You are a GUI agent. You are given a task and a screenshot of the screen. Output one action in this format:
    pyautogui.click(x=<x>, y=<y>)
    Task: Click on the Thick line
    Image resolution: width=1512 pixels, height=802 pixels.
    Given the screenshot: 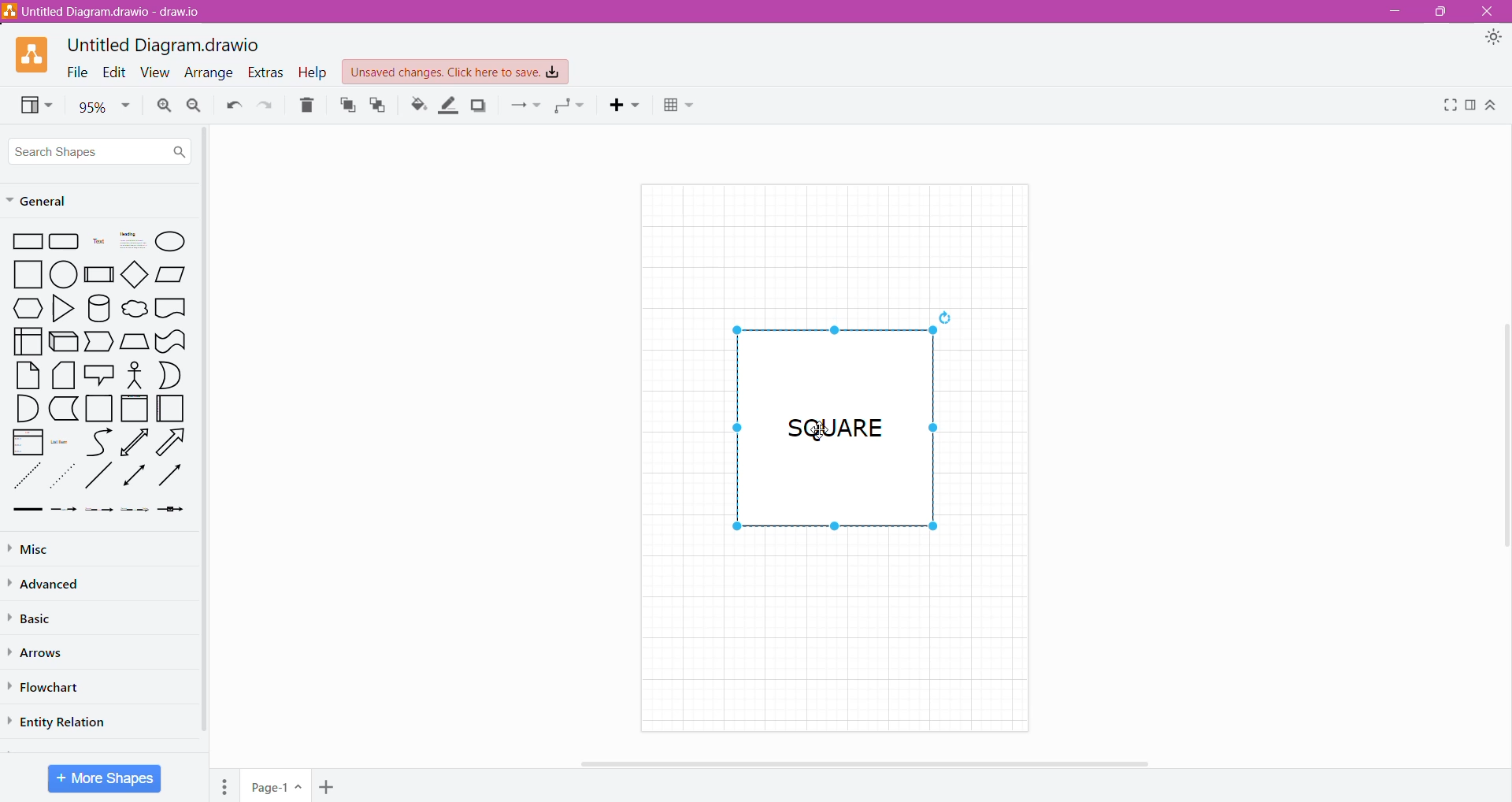 What is the action you would take?
    pyautogui.click(x=27, y=510)
    